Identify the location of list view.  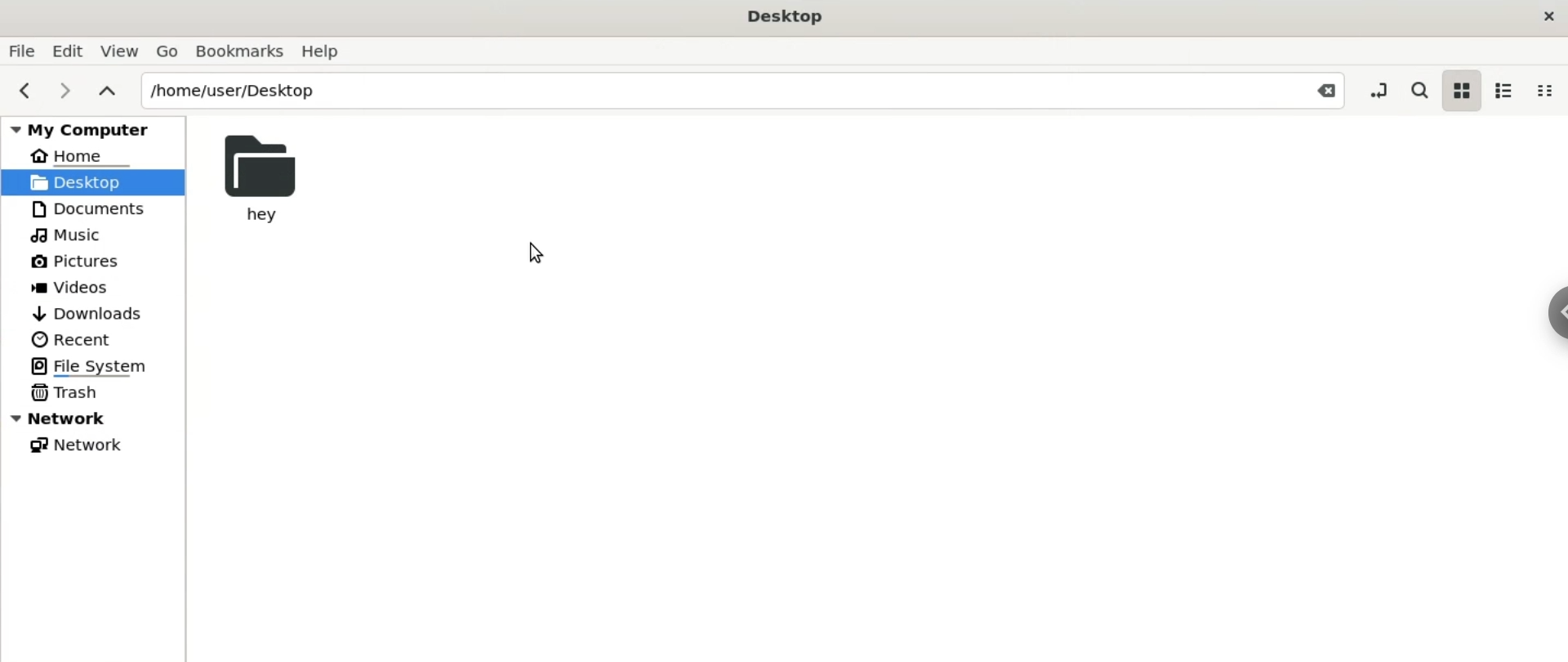
(1512, 92).